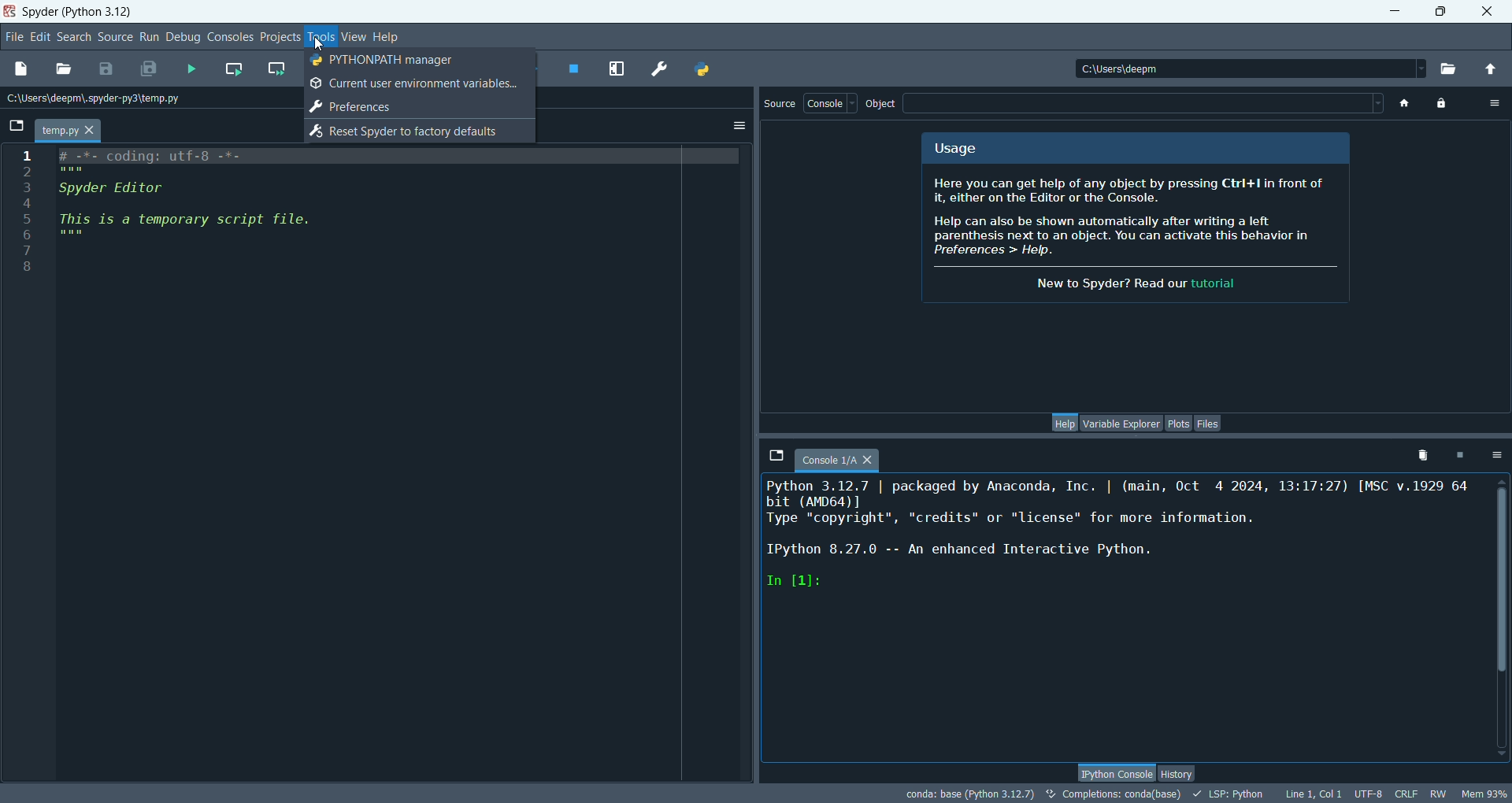 Image resolution: width=1512 pixels, height=803 pixels. What do you see at coordinates (191, 68) in the screenshot?
I see `run file` at bounding box center [191, 68].